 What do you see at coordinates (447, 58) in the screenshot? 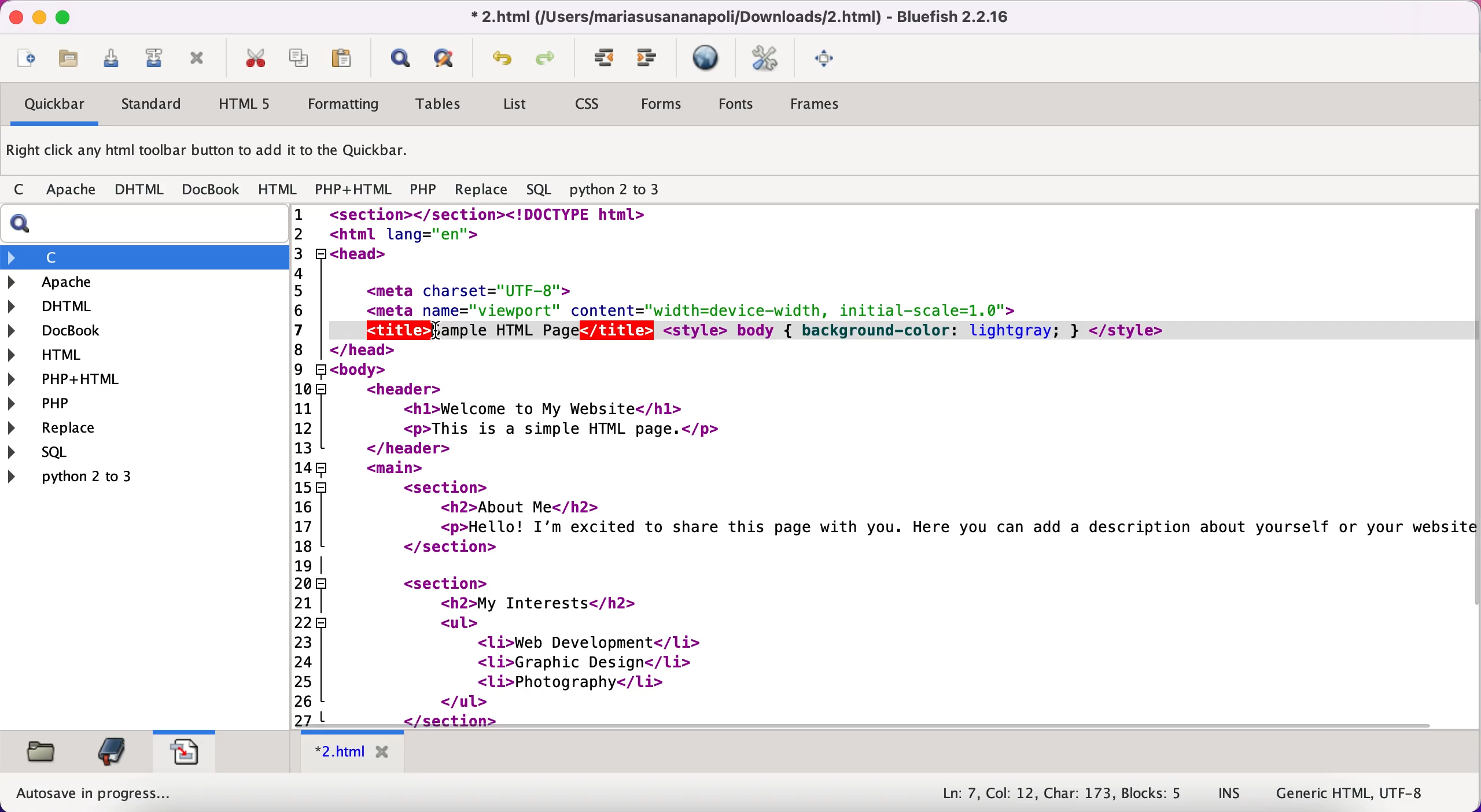
I see `advanced find and replace` at bounding box center [447, 58].